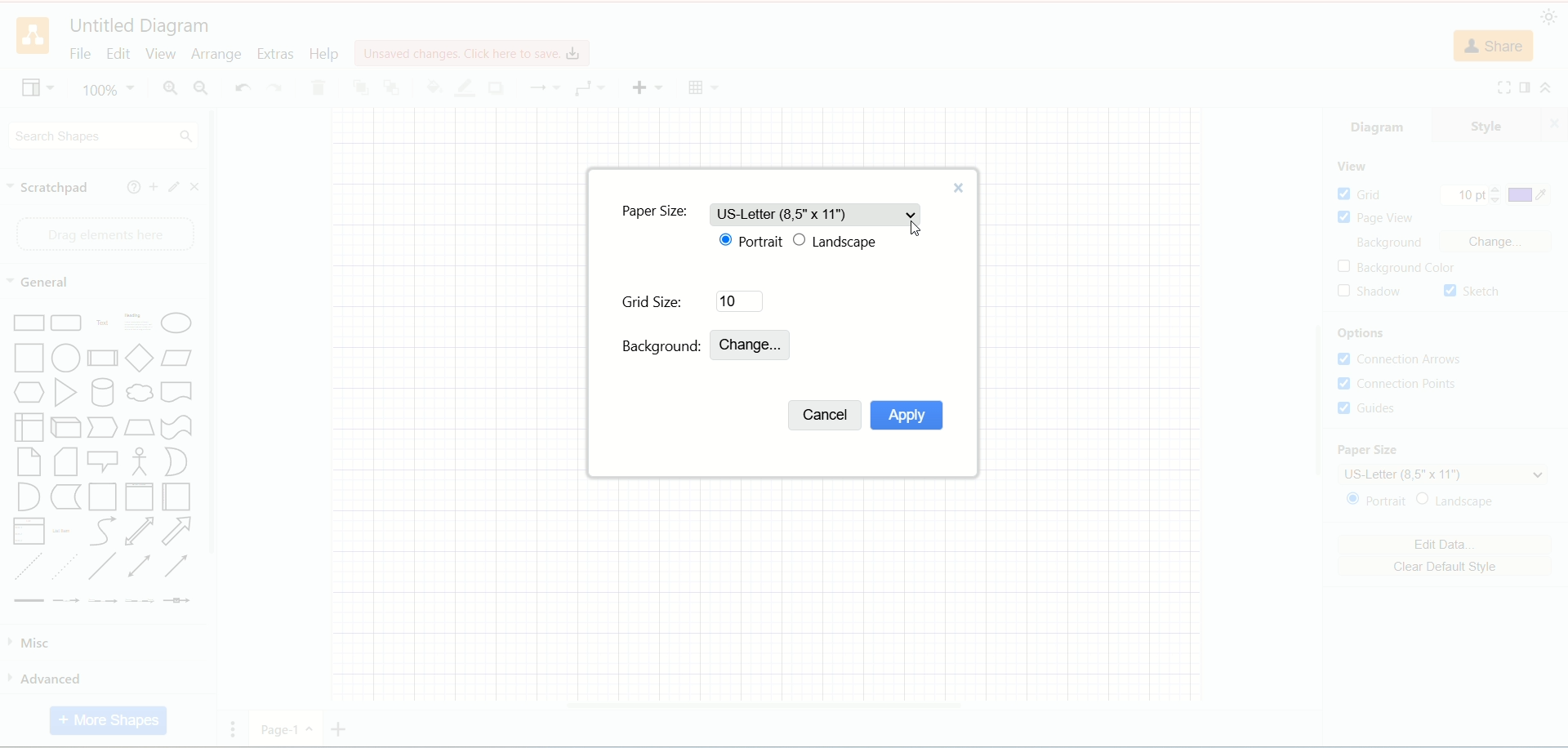  Describe the element at coordinates (1550, 17) in the screenshot. I see `appearance` at that location.